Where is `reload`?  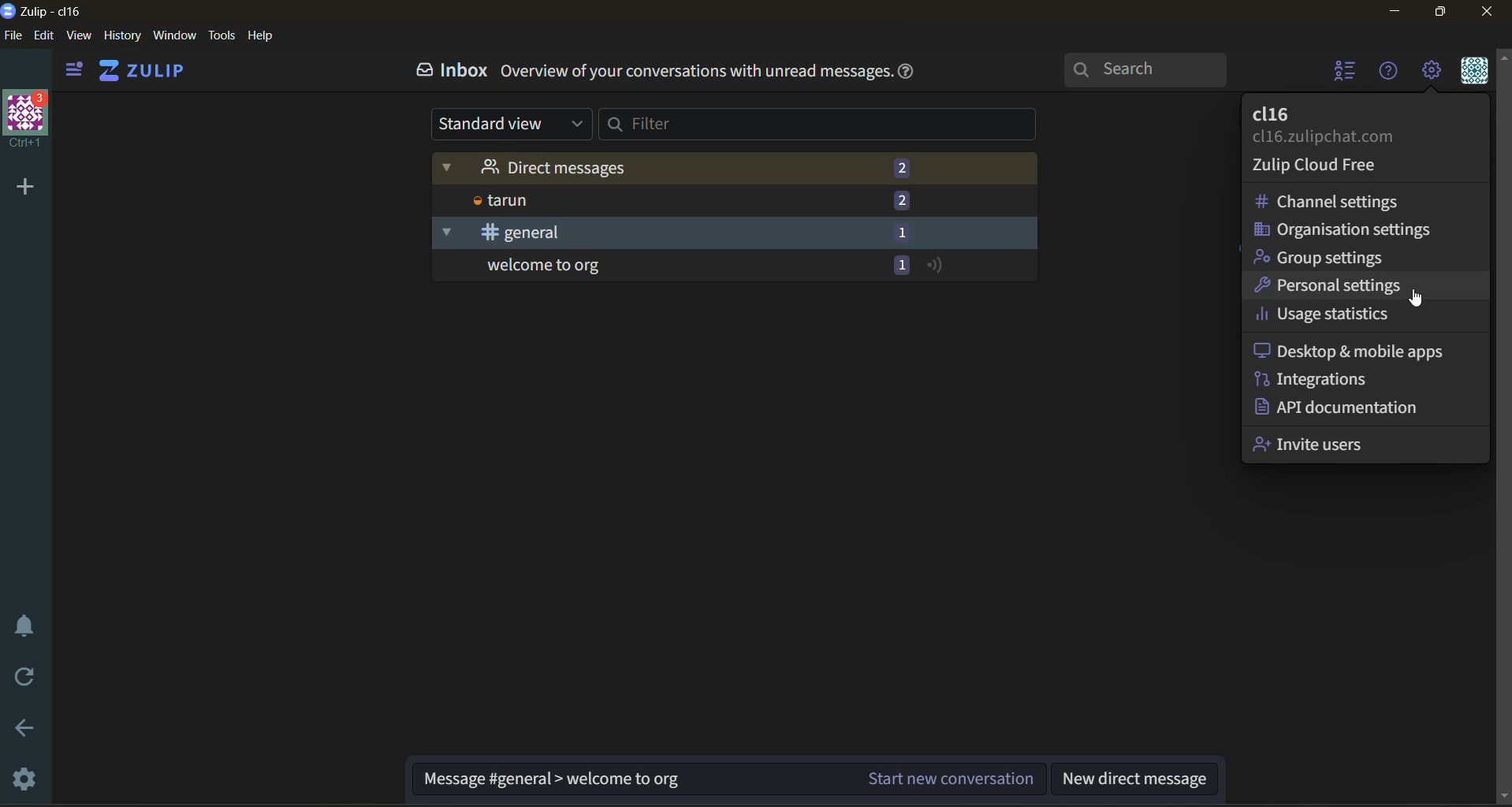
reload is located at coordinates (28, 680).